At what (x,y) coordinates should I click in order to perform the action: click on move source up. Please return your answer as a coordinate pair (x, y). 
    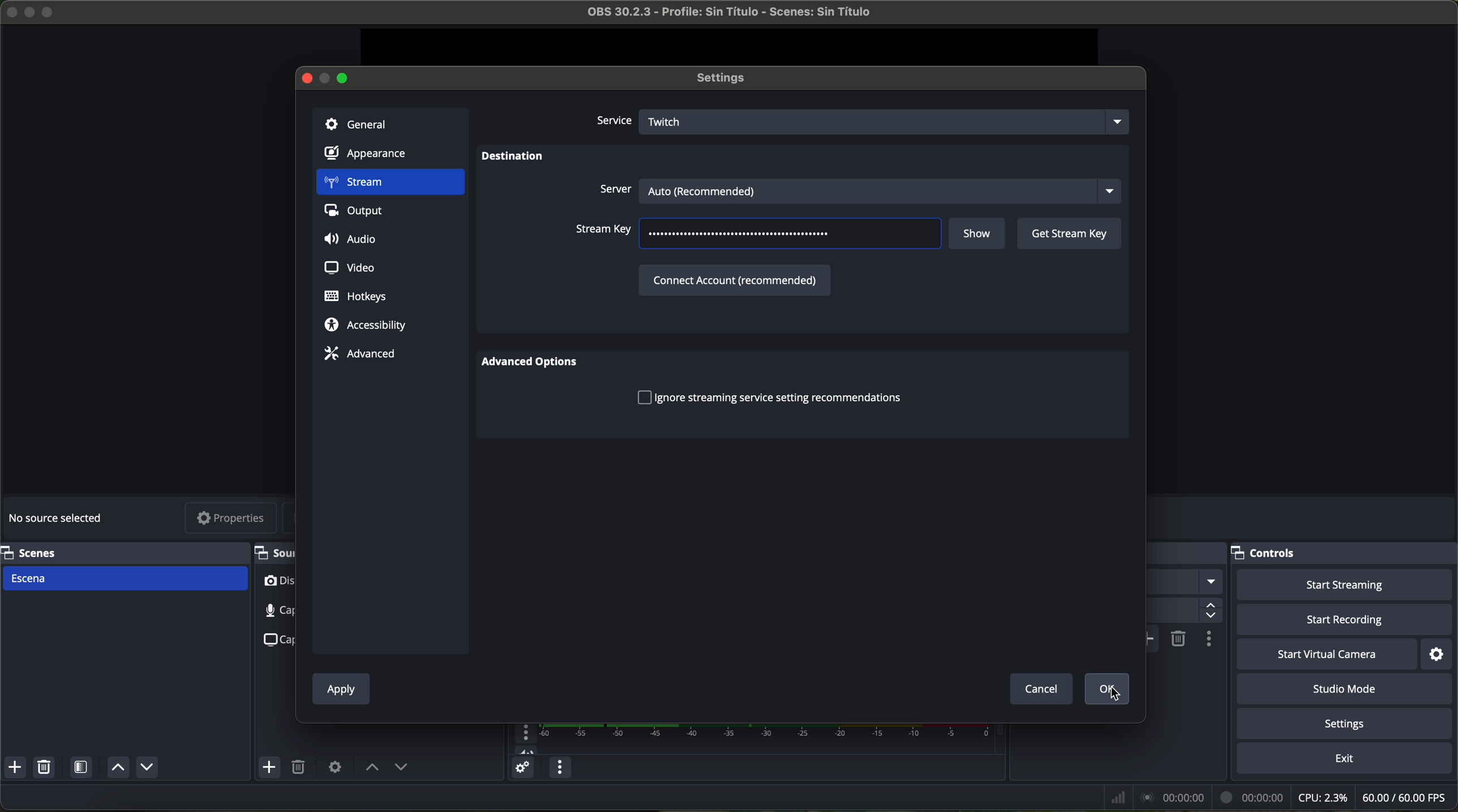
    Looking at the image, I should click on (372, 768).